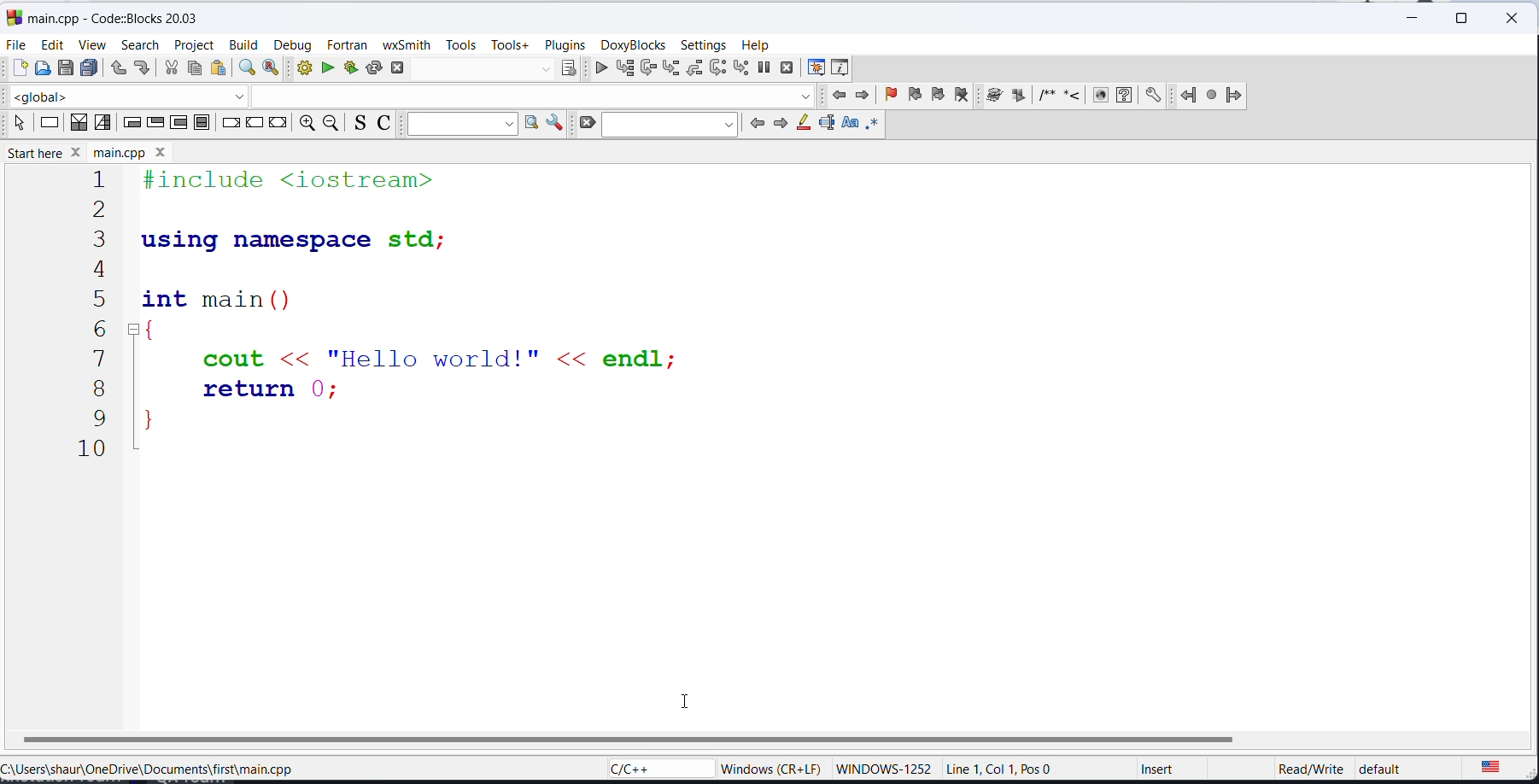 This screenshot has height=784, width=1539. What do you see at coordinates (48, 125) in the screenshot?
I see `instruction` at bounding box center [48, 125].